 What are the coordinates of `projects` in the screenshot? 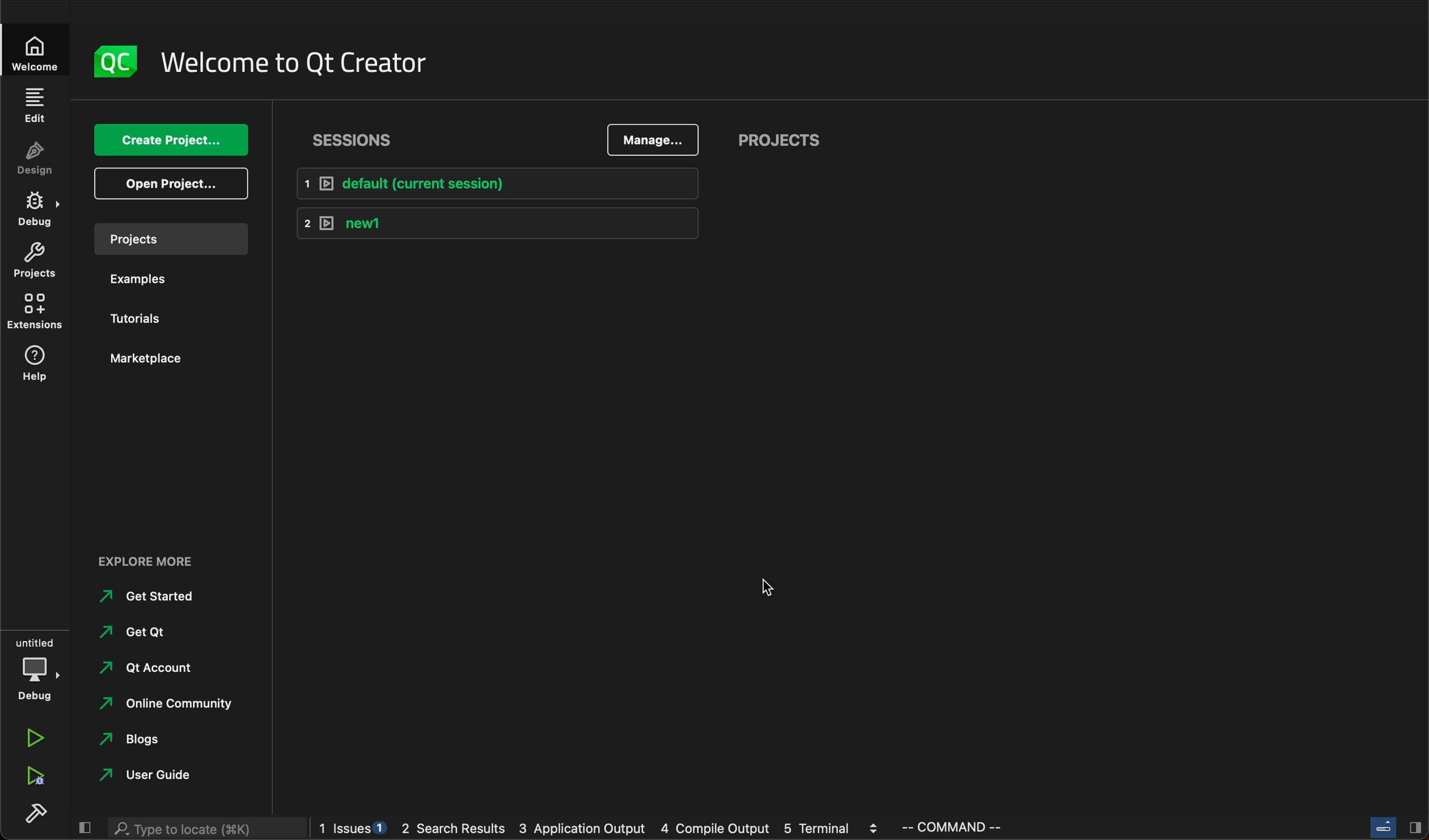 It's located at (171, 239).